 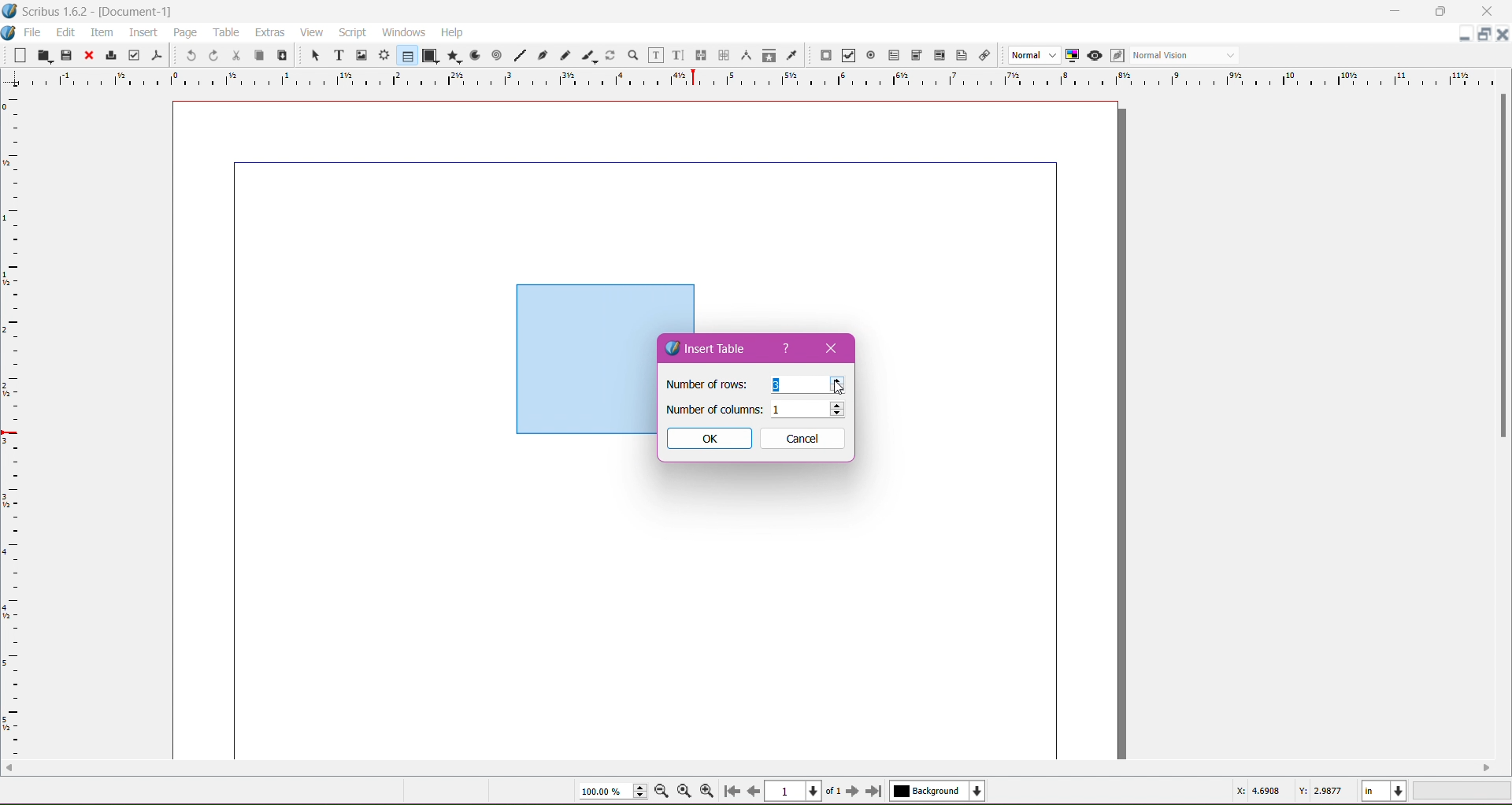 I want to click on Number of rows:, so click(x=707, y=384).